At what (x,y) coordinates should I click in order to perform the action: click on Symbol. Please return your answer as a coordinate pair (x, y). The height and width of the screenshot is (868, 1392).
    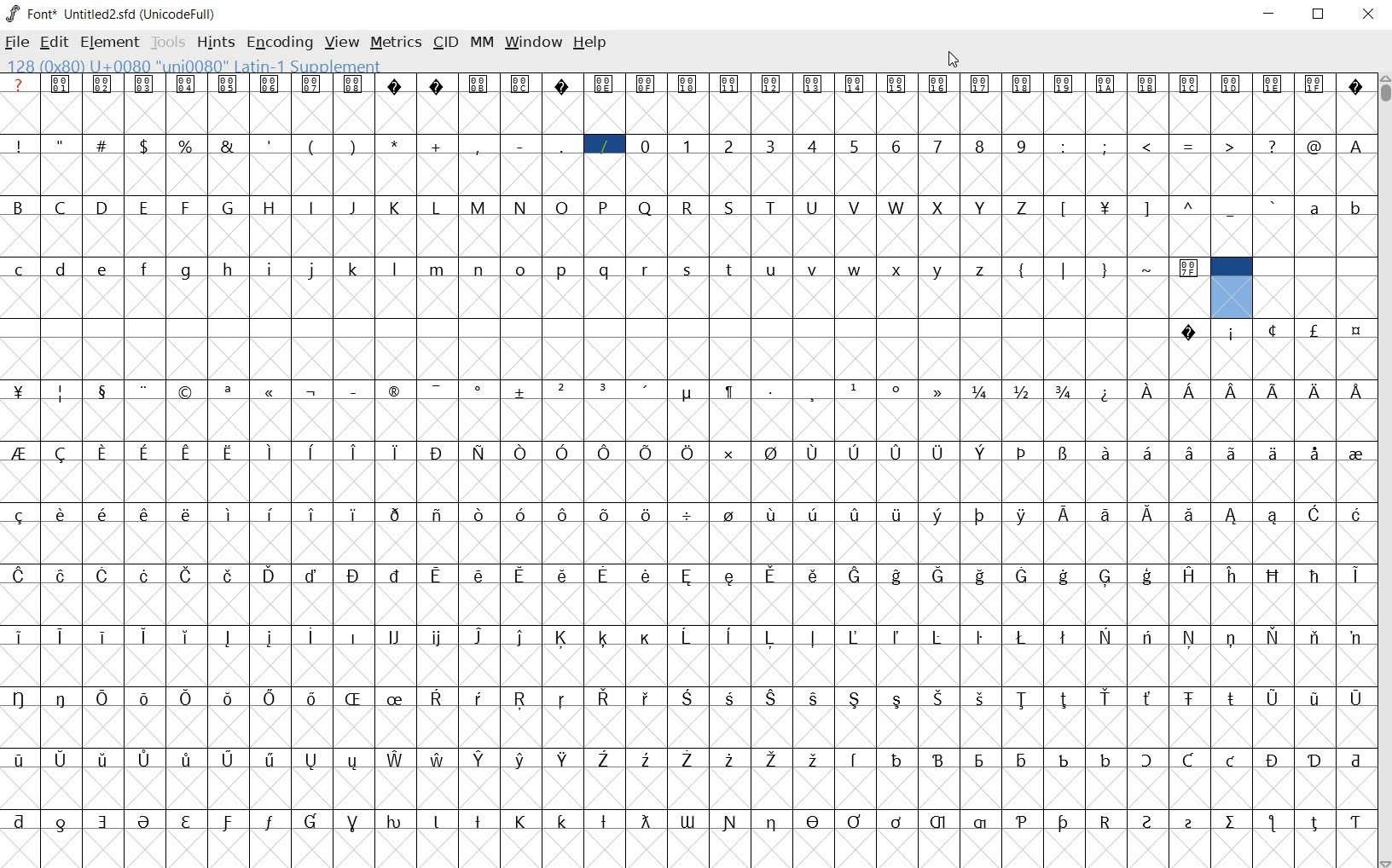
    Looking at the image, I should click on (395, 451).